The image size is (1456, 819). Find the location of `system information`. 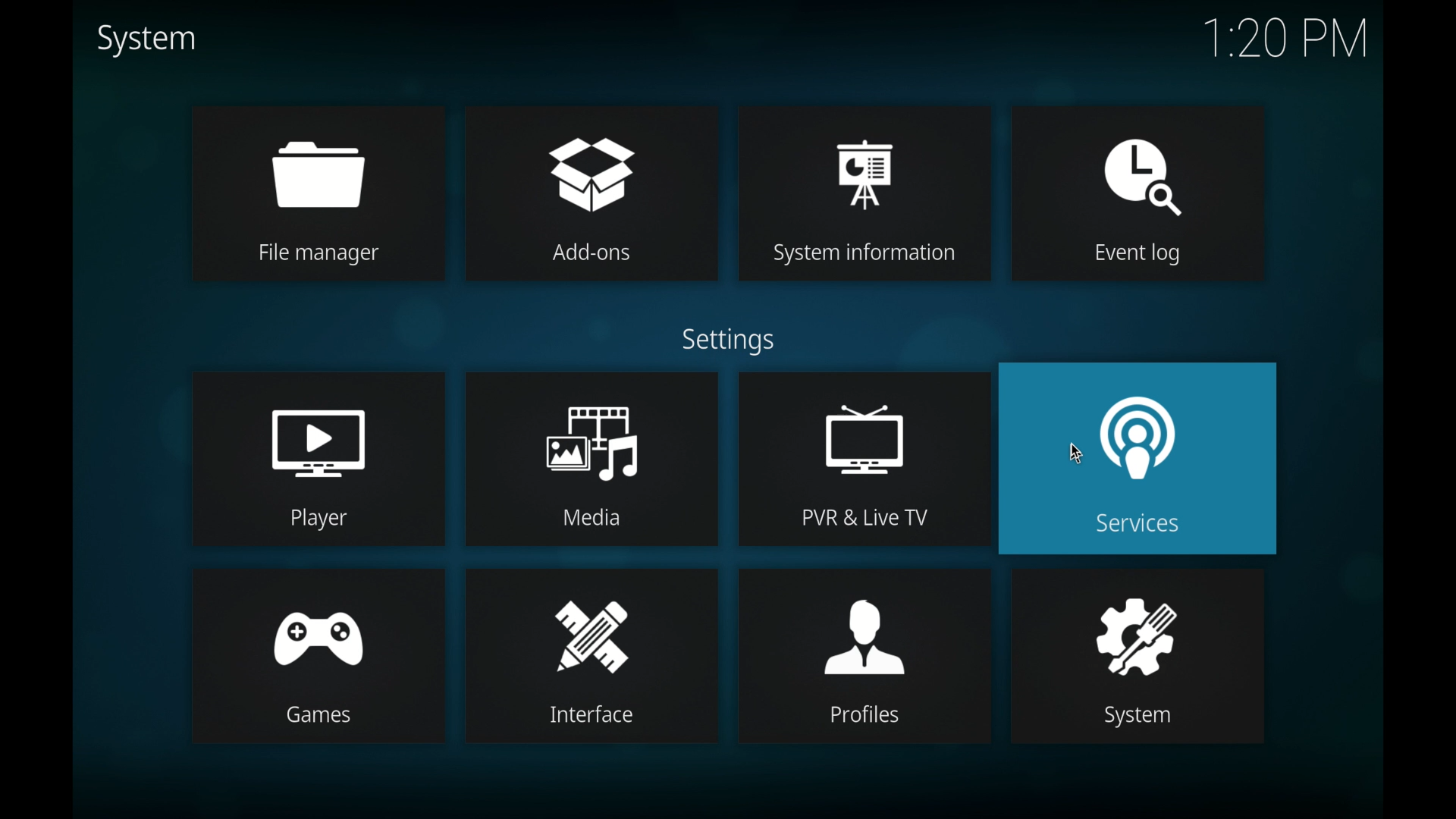

system information is located at coordinates (866, 193).